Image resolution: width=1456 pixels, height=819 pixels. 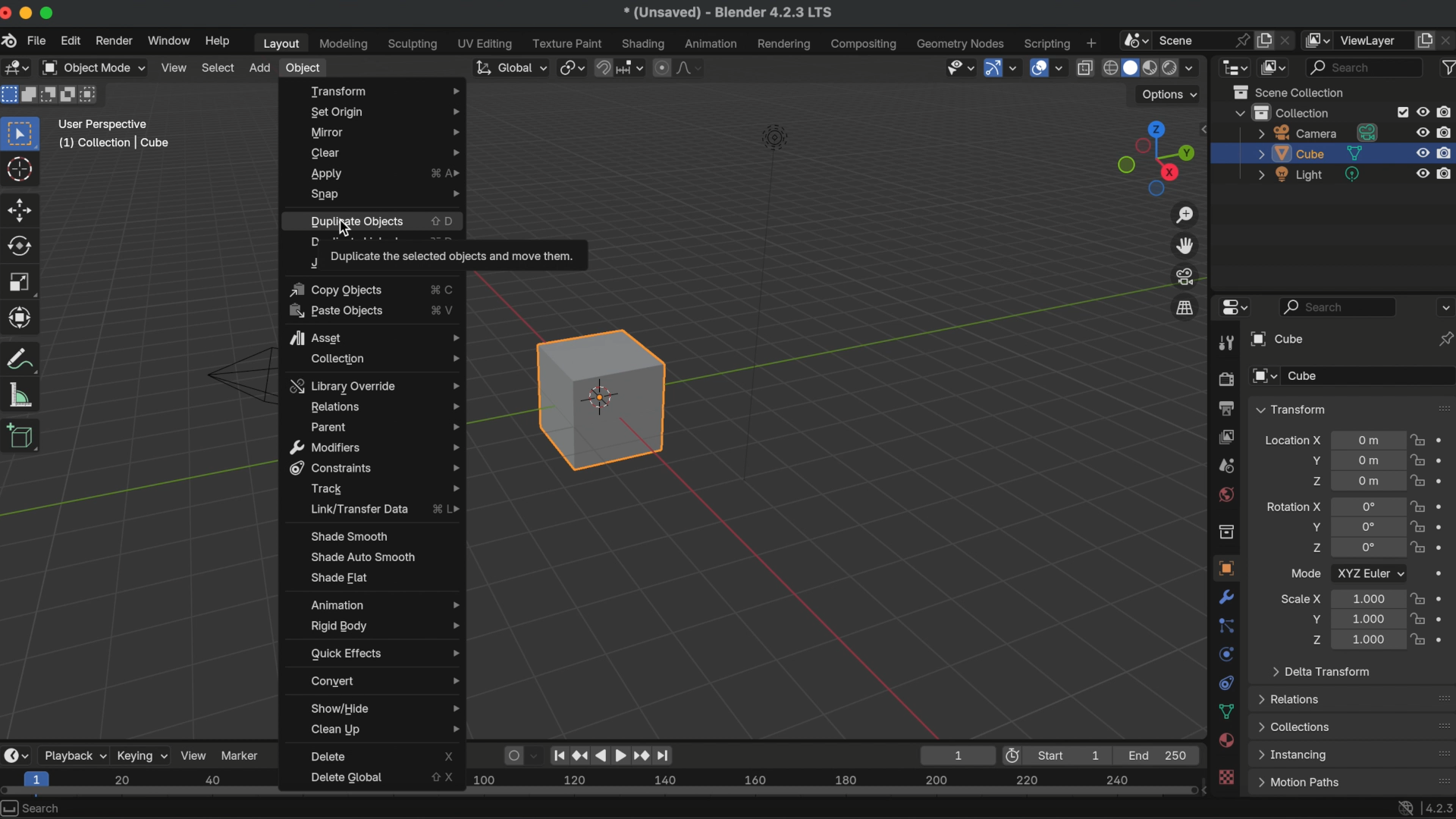 I want to click on shading, so click(x=1196, y=67).